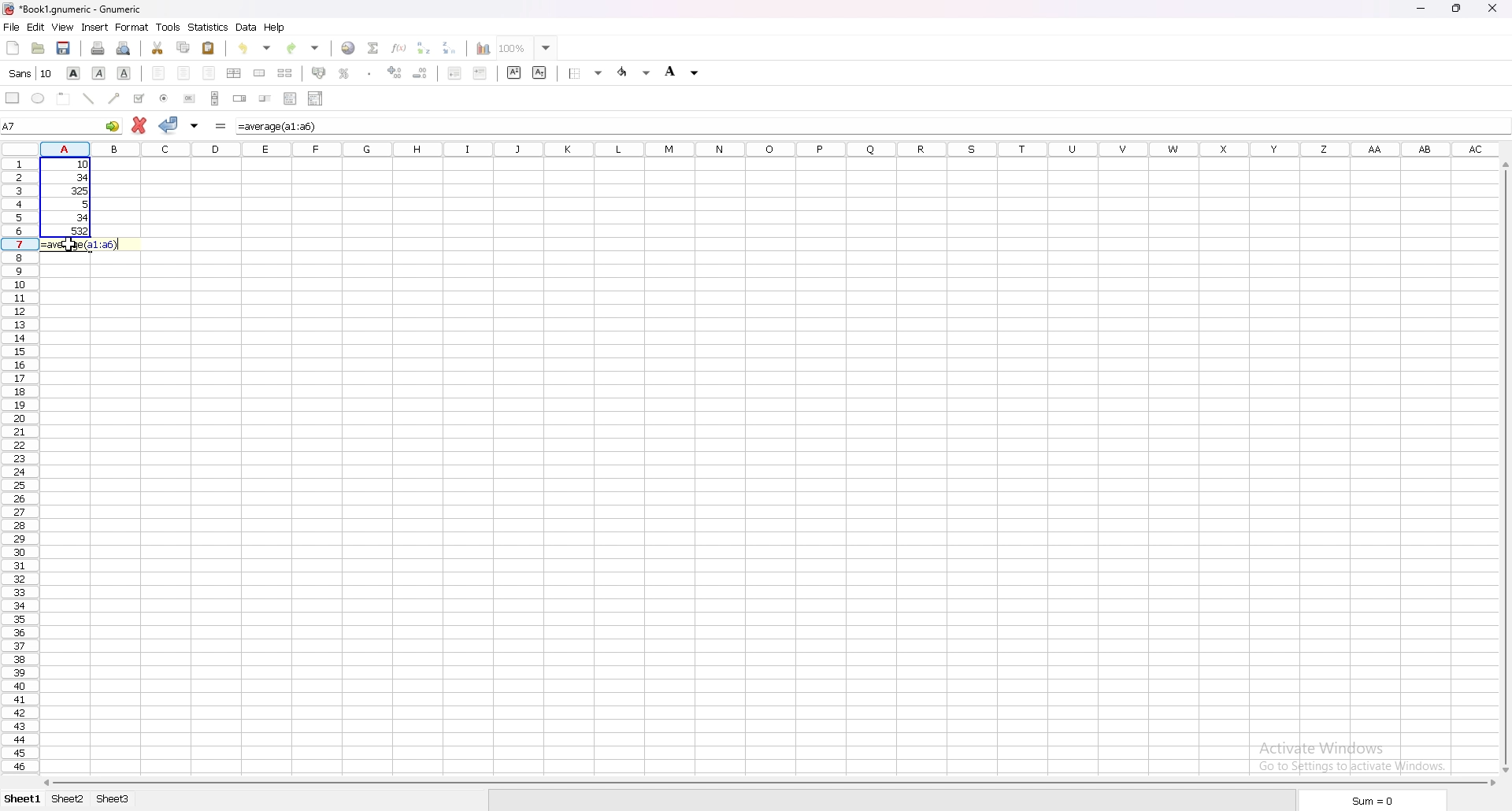 The image size is (1512, 811). What do you see at coordinates (194, 124) in the screenshot?
I see `accept changes in all cells` at bounding box center [194, 124].